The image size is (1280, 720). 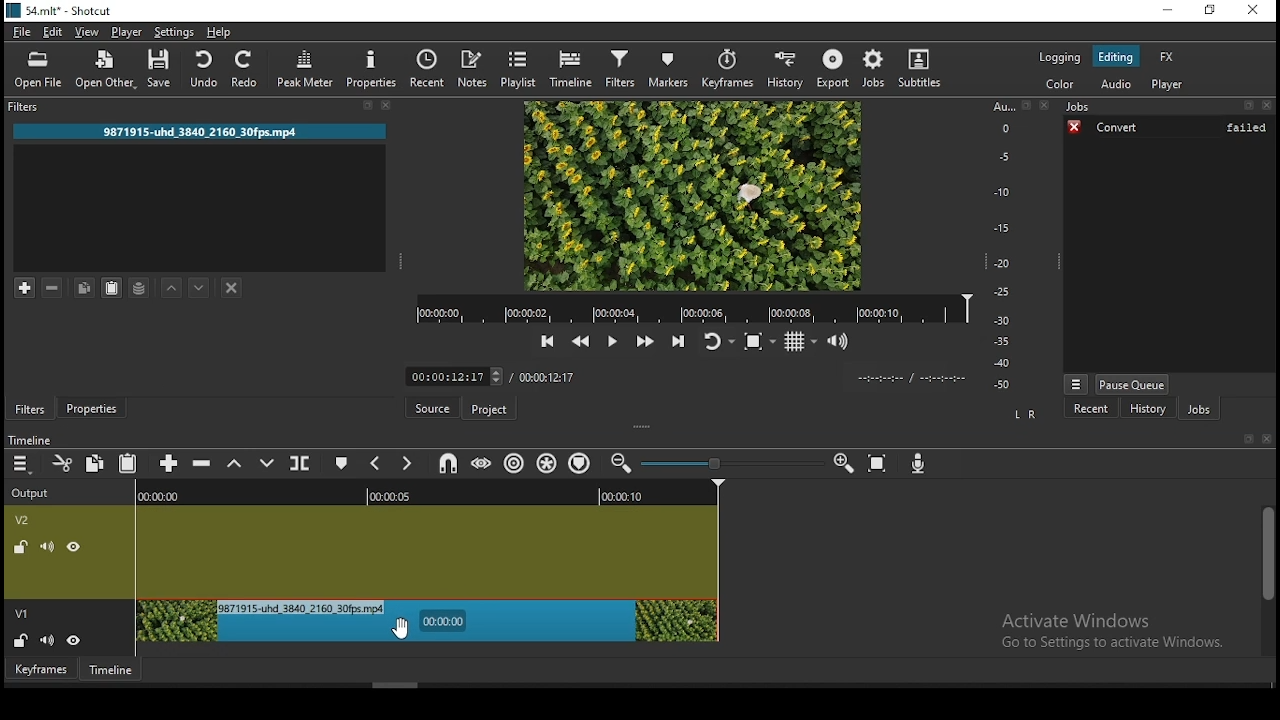 I want to click on notes, so click(x=475, y=69).